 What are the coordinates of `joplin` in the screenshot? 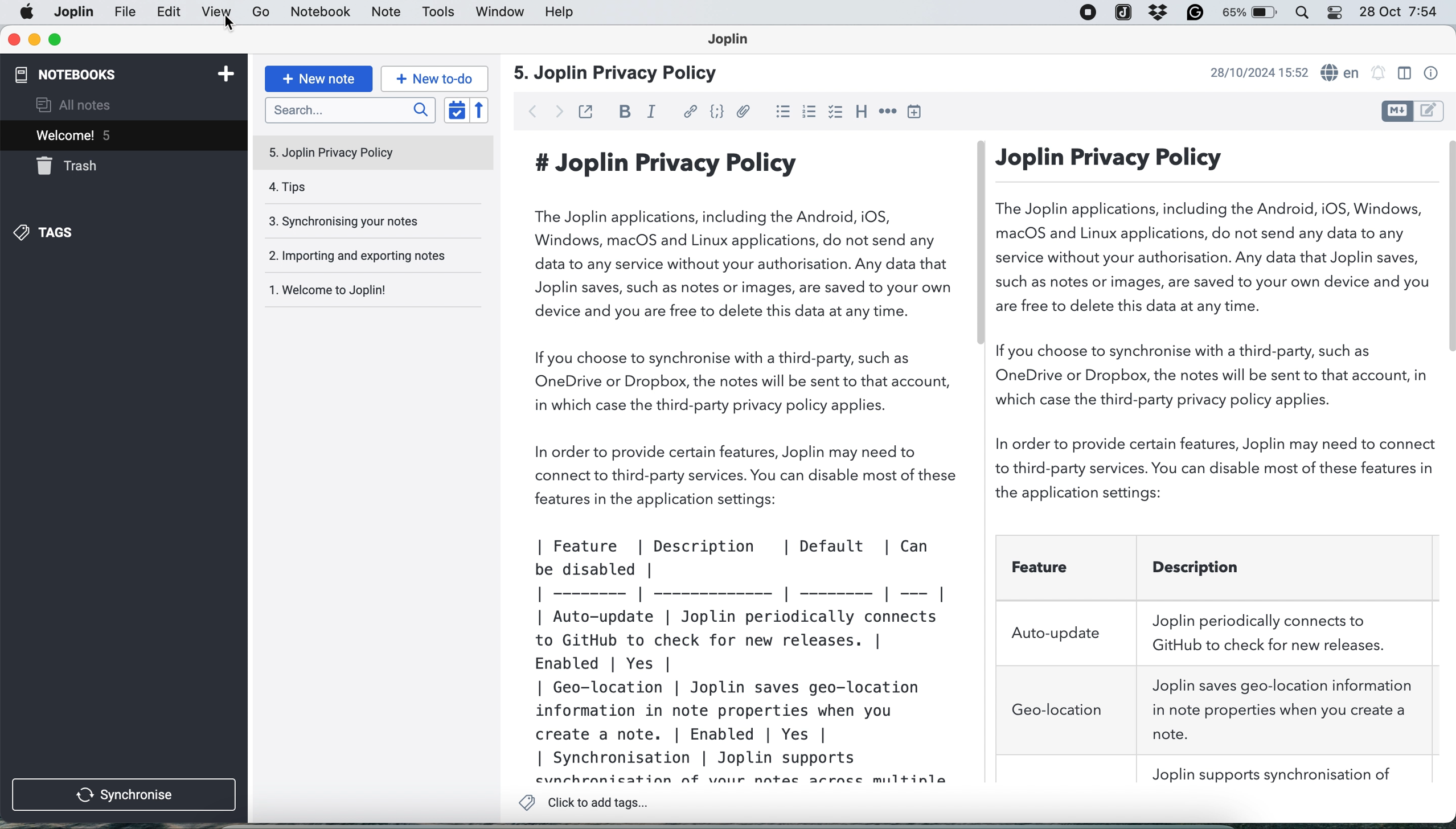 It's located at (1123, 12).